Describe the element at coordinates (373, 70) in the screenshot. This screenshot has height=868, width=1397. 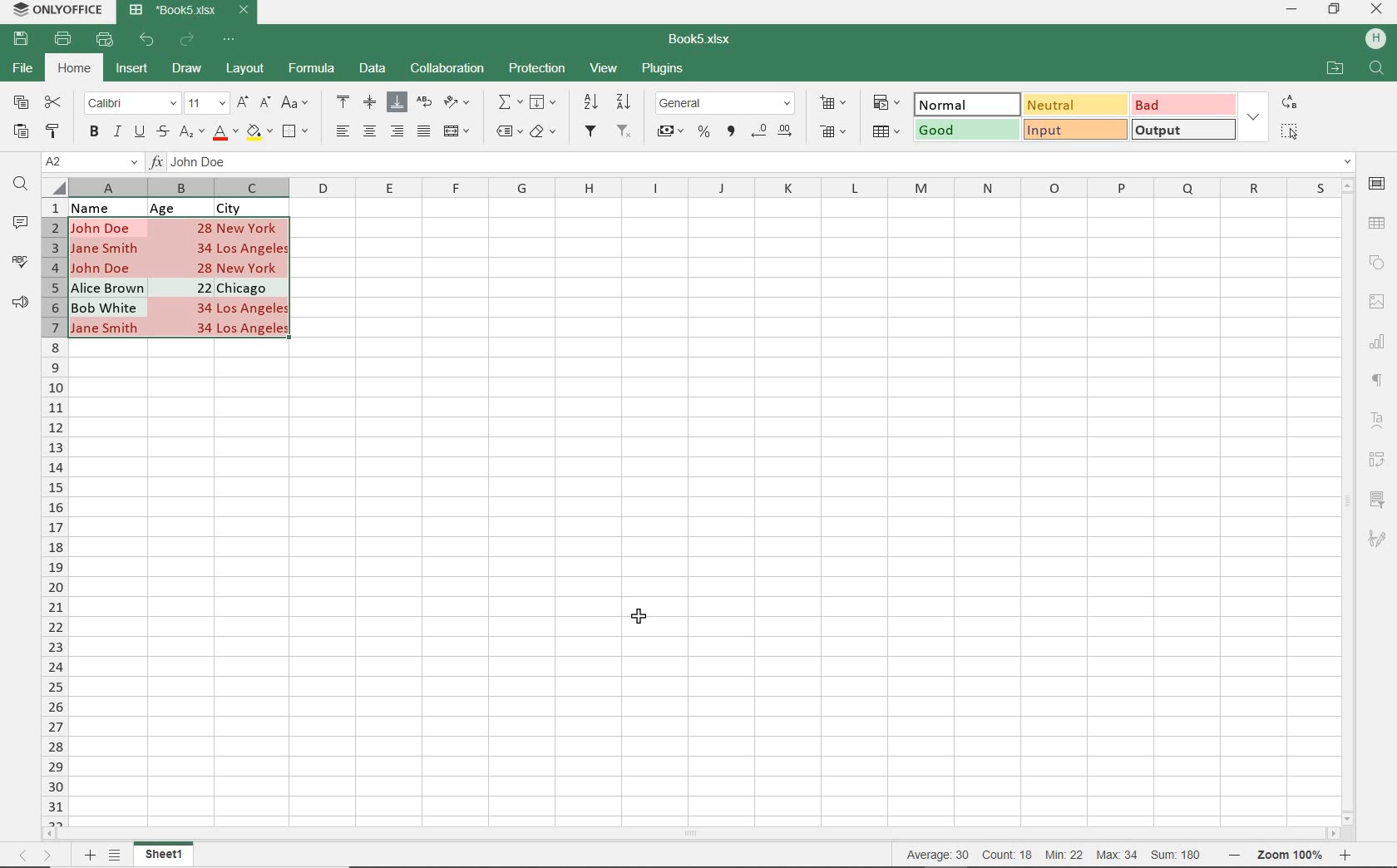
I see `DATA` at that location.